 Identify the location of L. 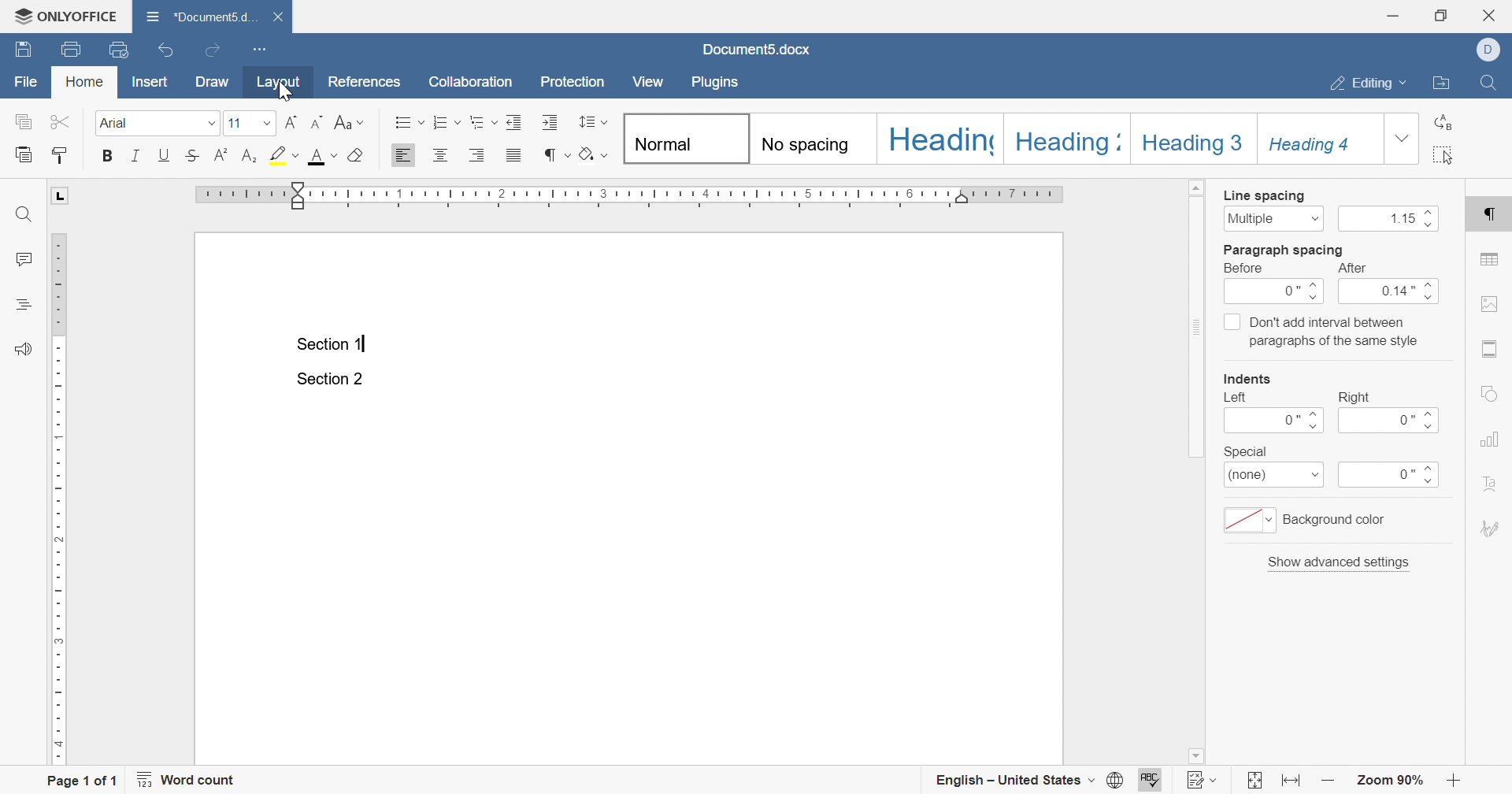
(61, 196).